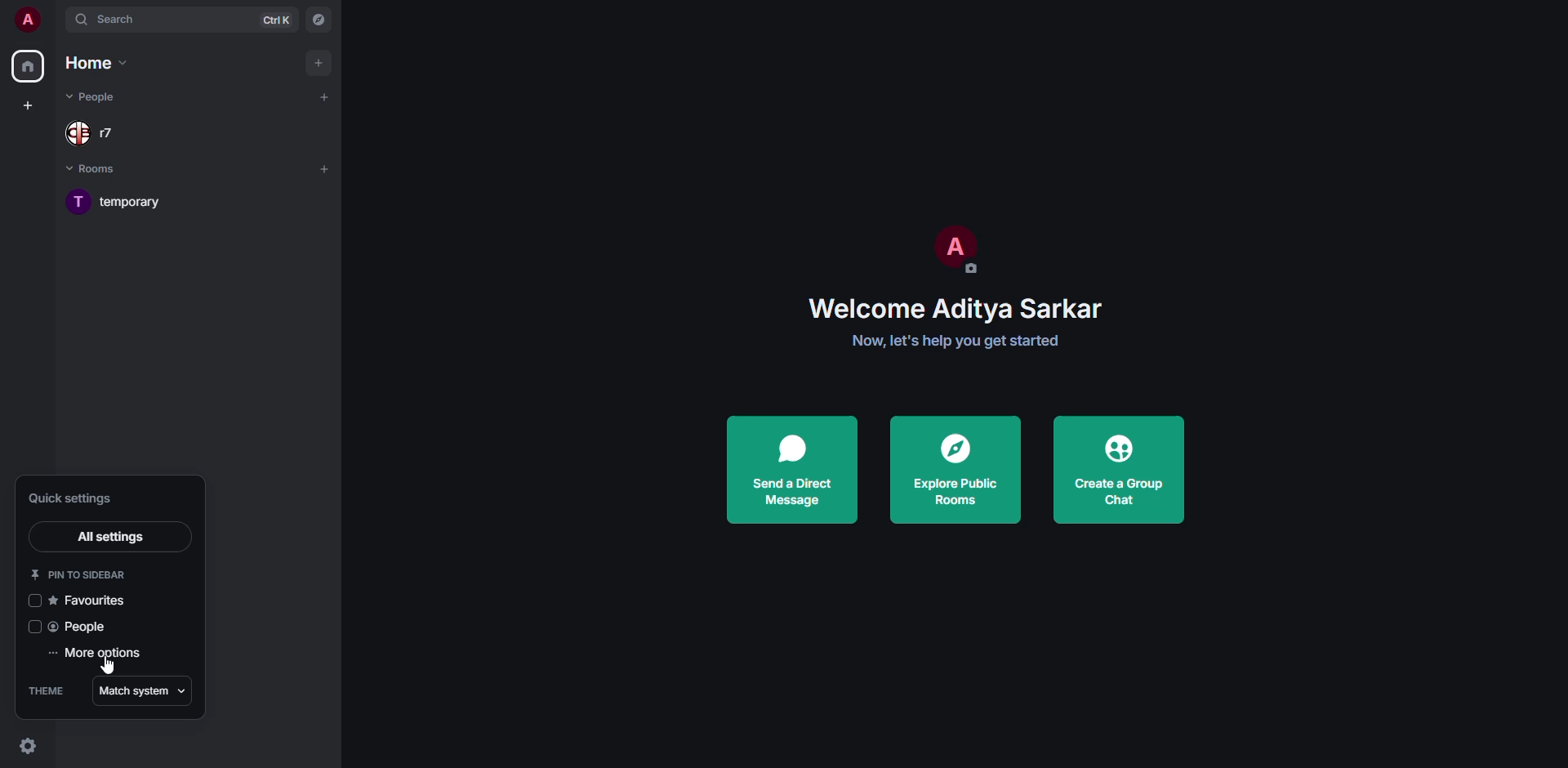 The height and width of the screenshot is (768, 1568). I want to click on create a group chat, so click(1118, 468).